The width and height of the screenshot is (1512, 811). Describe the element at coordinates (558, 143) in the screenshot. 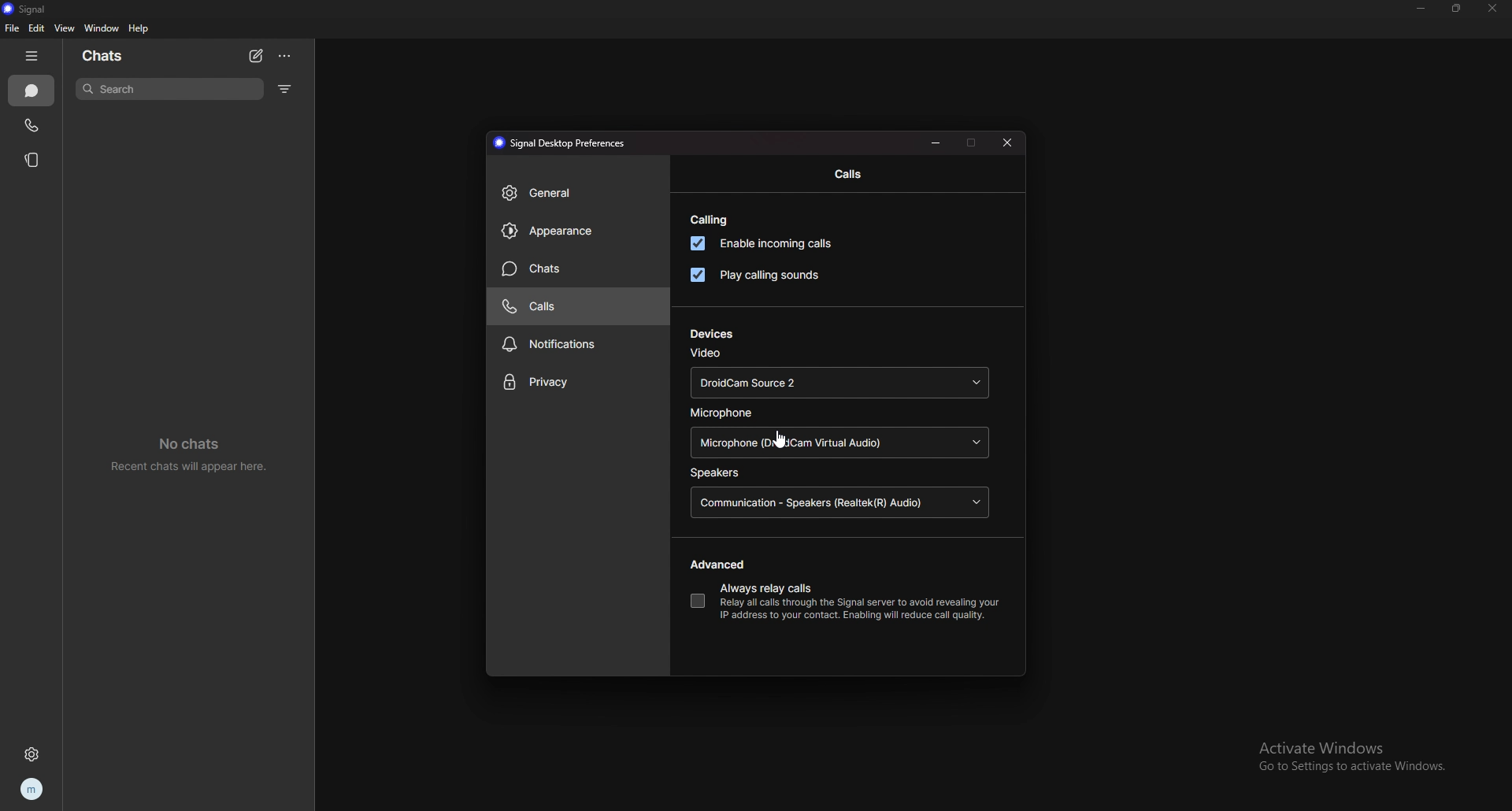

I see `preferences` at that location.